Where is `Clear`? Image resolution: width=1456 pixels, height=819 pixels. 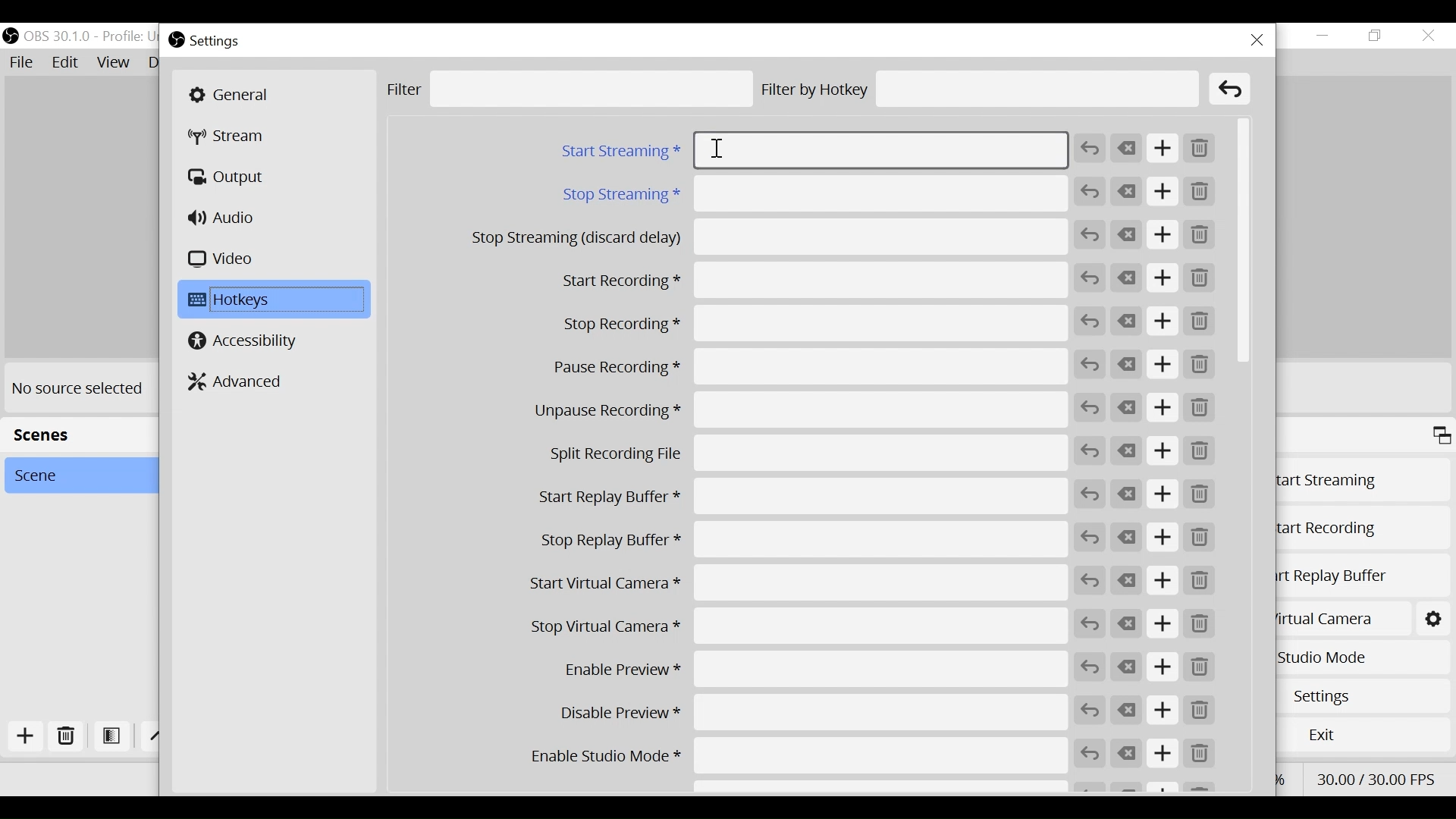 Clear is located at coordinates (1125, 449).